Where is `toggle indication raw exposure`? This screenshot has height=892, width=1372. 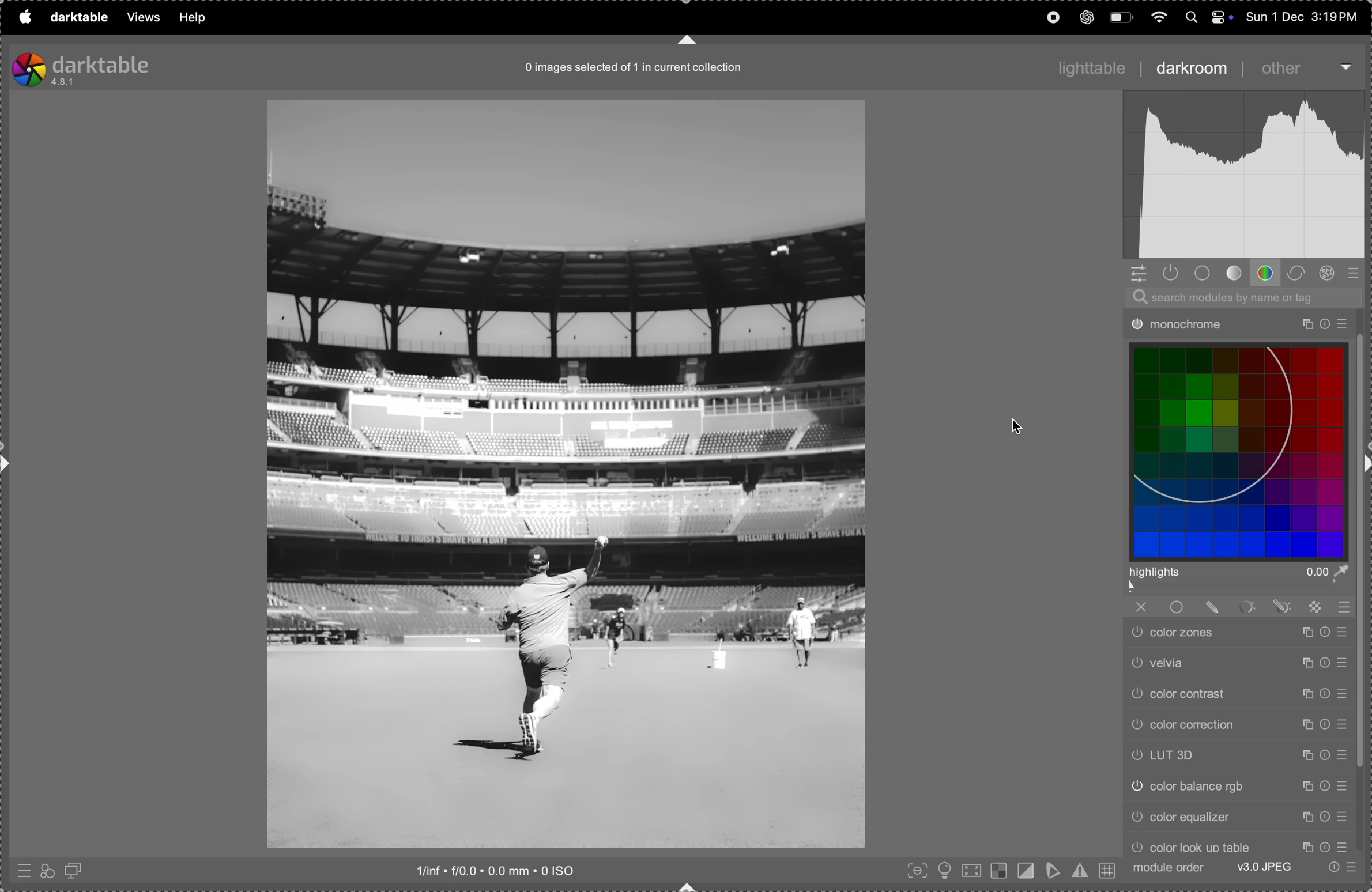 toggle indication raw exposure is located at coordinates (999, 871).